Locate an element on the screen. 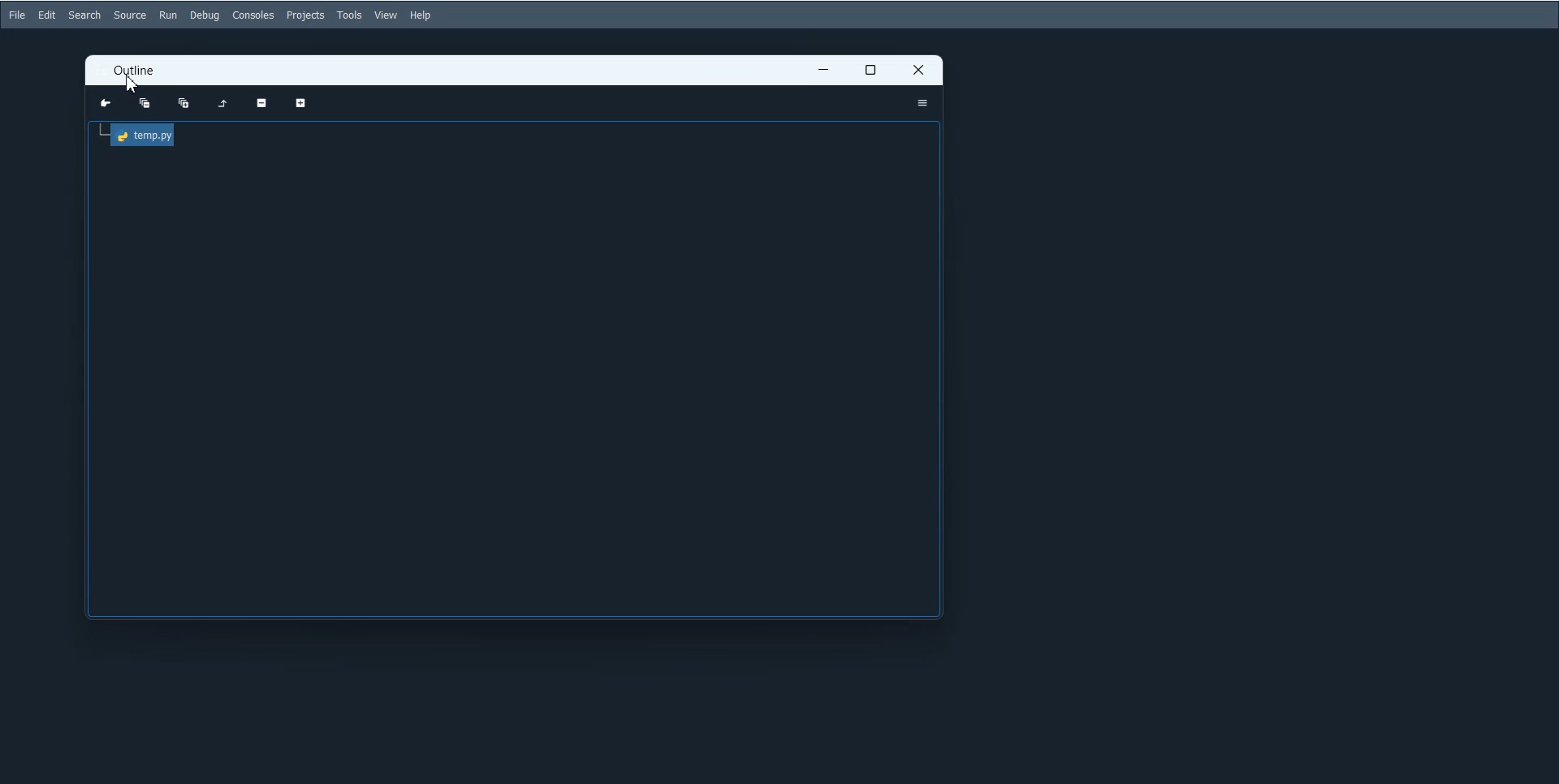 This screenshot has height=784, width=1559. Expand all is located at coordinates (183, 104).